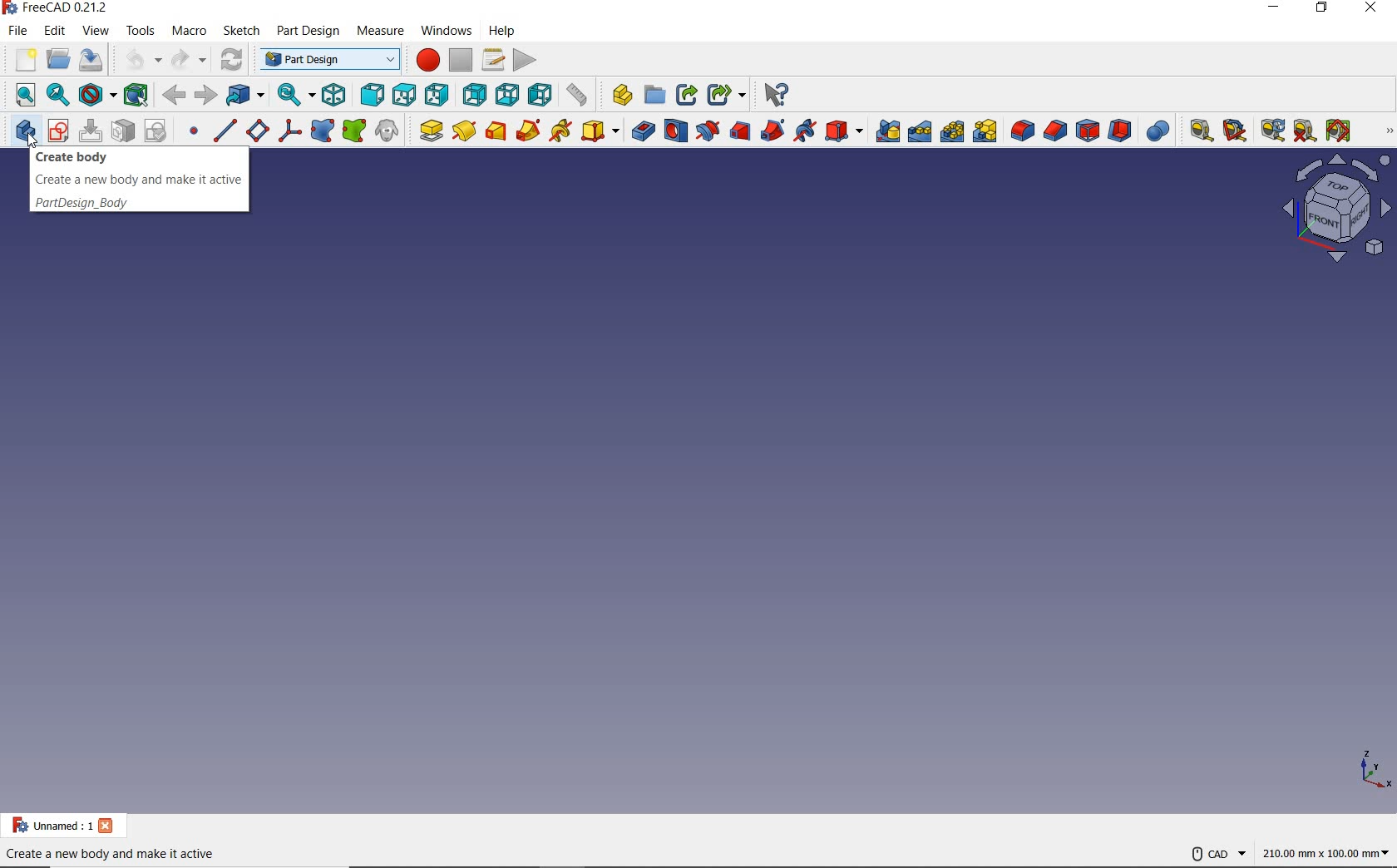 The width and height of the screenshot is (1397, 868). Describe the element at coordinates (91, 61) in the screenshot. I see `save` at that location.